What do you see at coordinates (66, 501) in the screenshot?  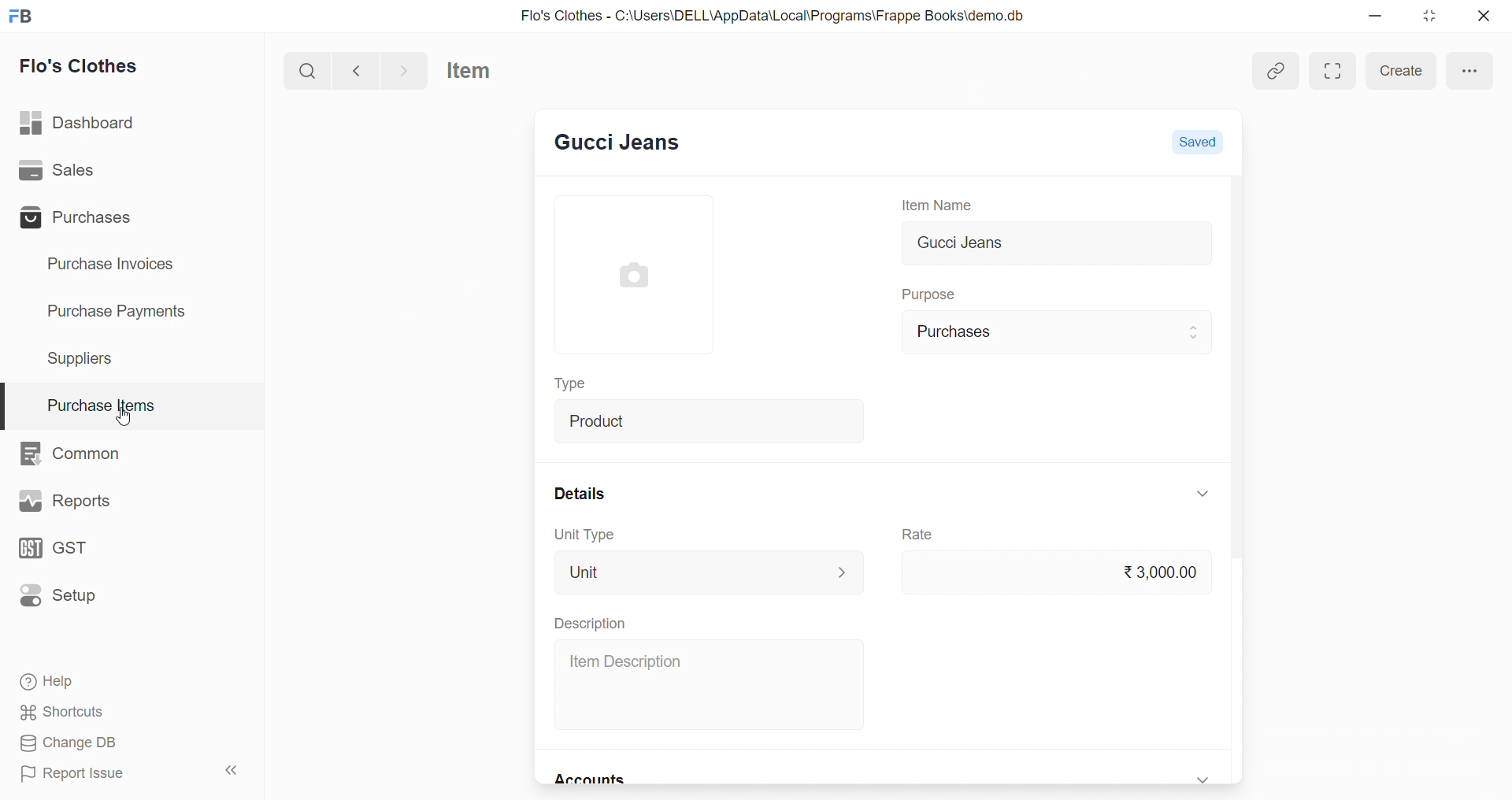 I see `Reports` at bounding box center [66, 501].